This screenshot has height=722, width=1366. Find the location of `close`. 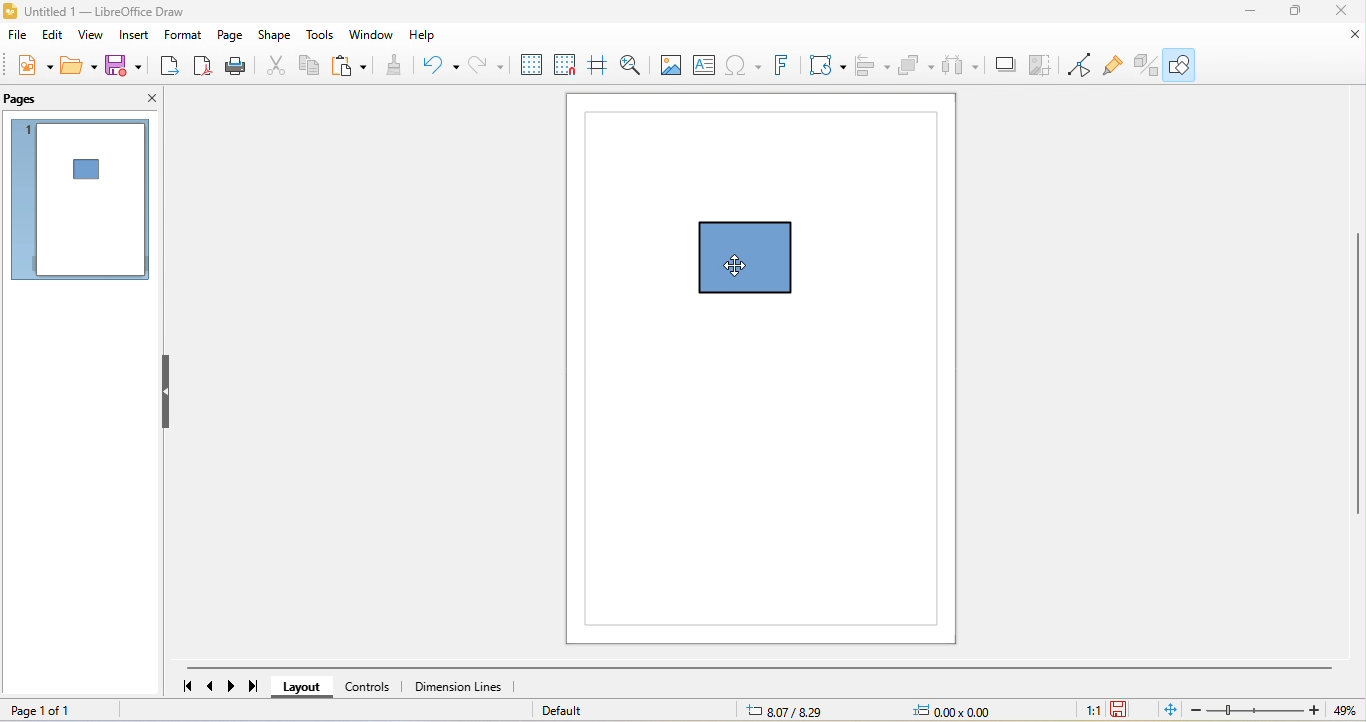

close is located at coordinates (1351, 36).